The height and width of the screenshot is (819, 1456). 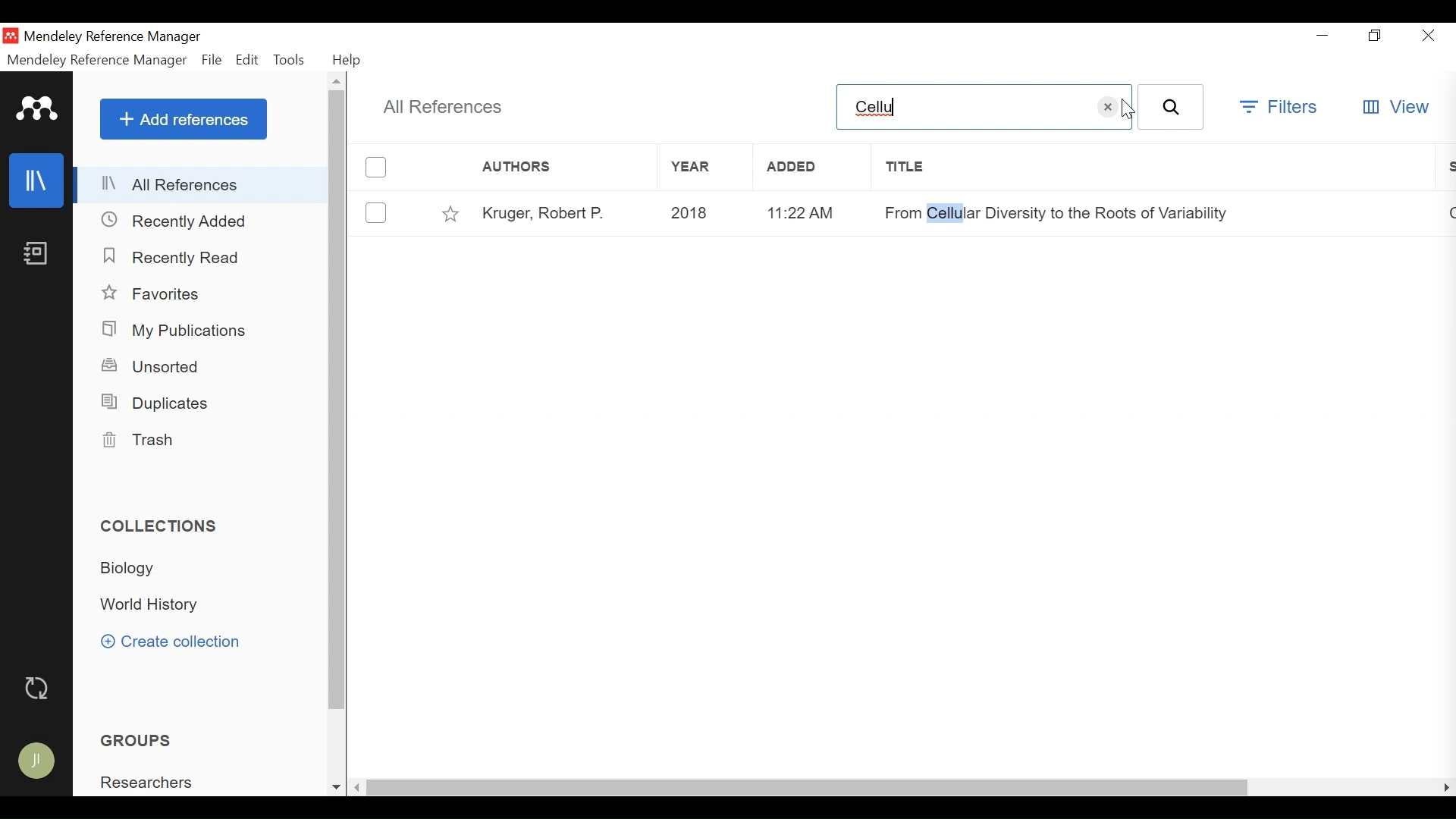 I want to click on Scroll Right, so click(x=1445, y=787).